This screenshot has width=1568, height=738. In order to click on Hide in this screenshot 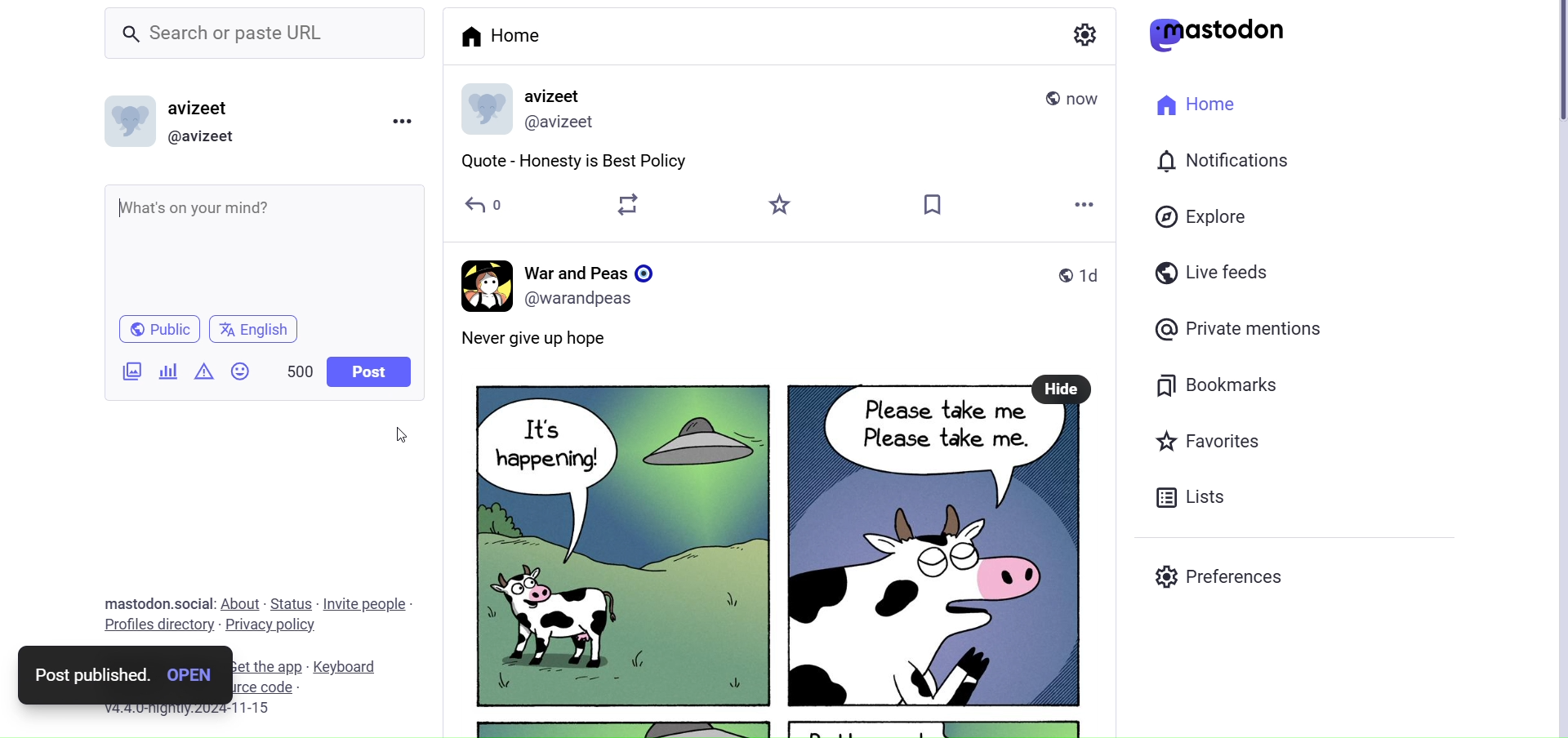, I will do `click(1060, 389)`.